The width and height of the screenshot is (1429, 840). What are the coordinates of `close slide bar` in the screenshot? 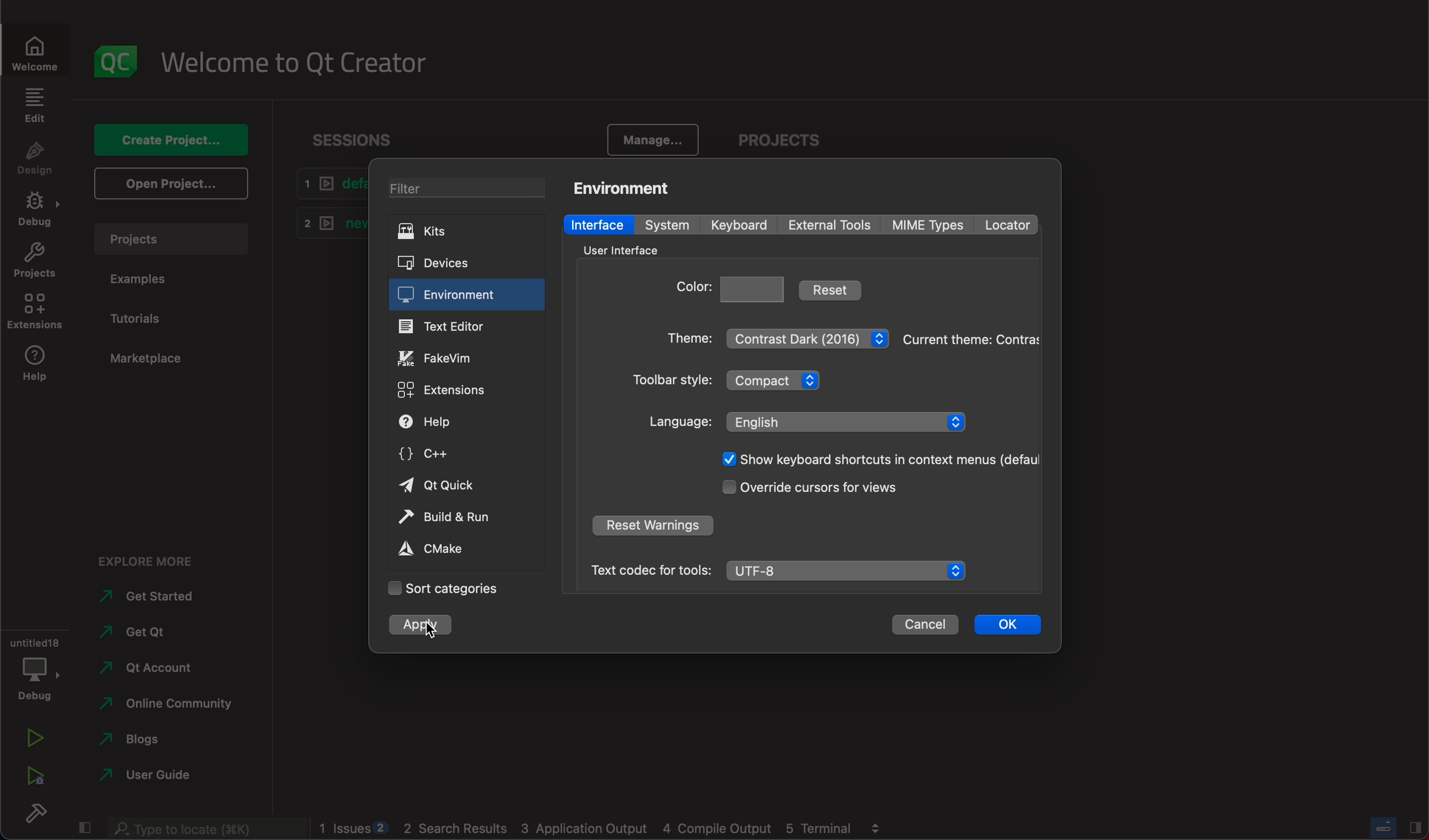 It's located at (84, 829).